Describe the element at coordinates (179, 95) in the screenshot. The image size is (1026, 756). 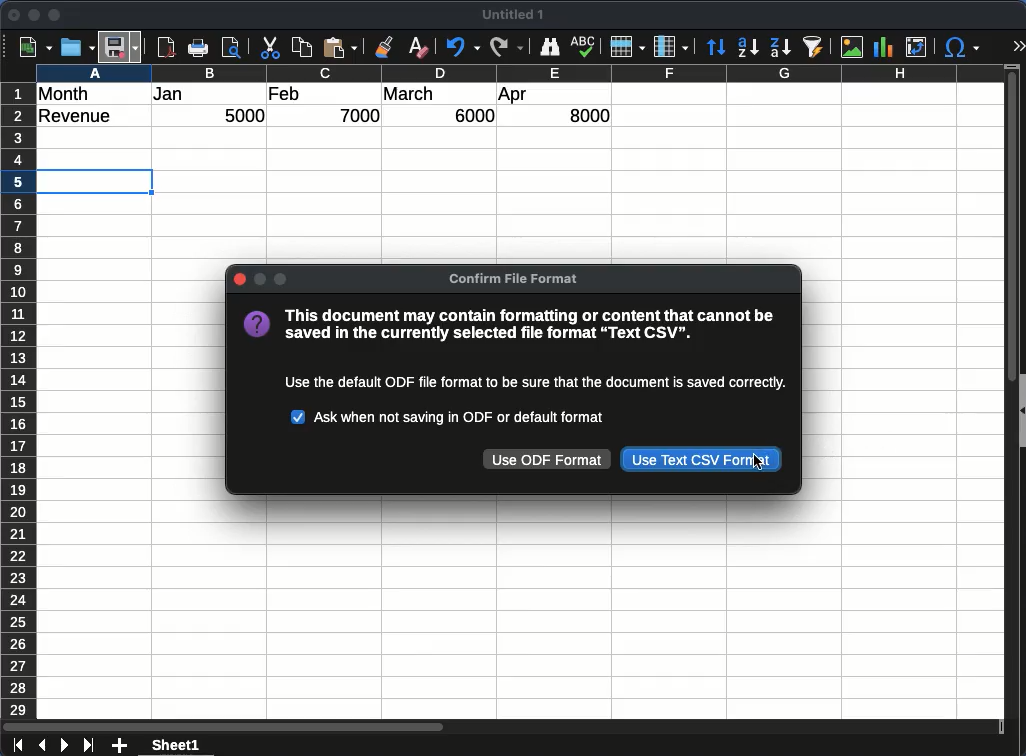
I see `jan` at that location.